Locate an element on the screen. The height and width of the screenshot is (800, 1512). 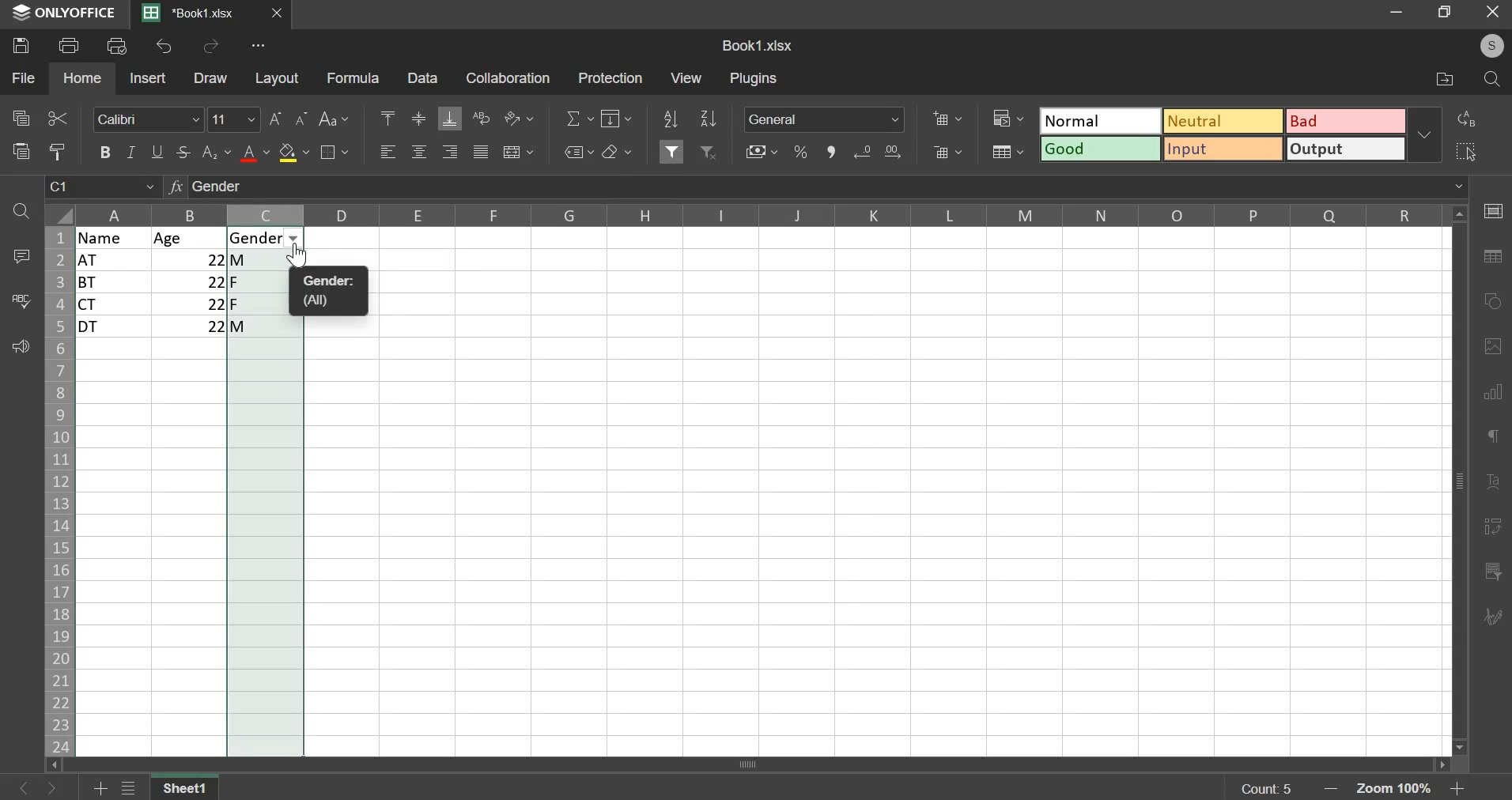
cell settings is located at coordinates (1493, 210).